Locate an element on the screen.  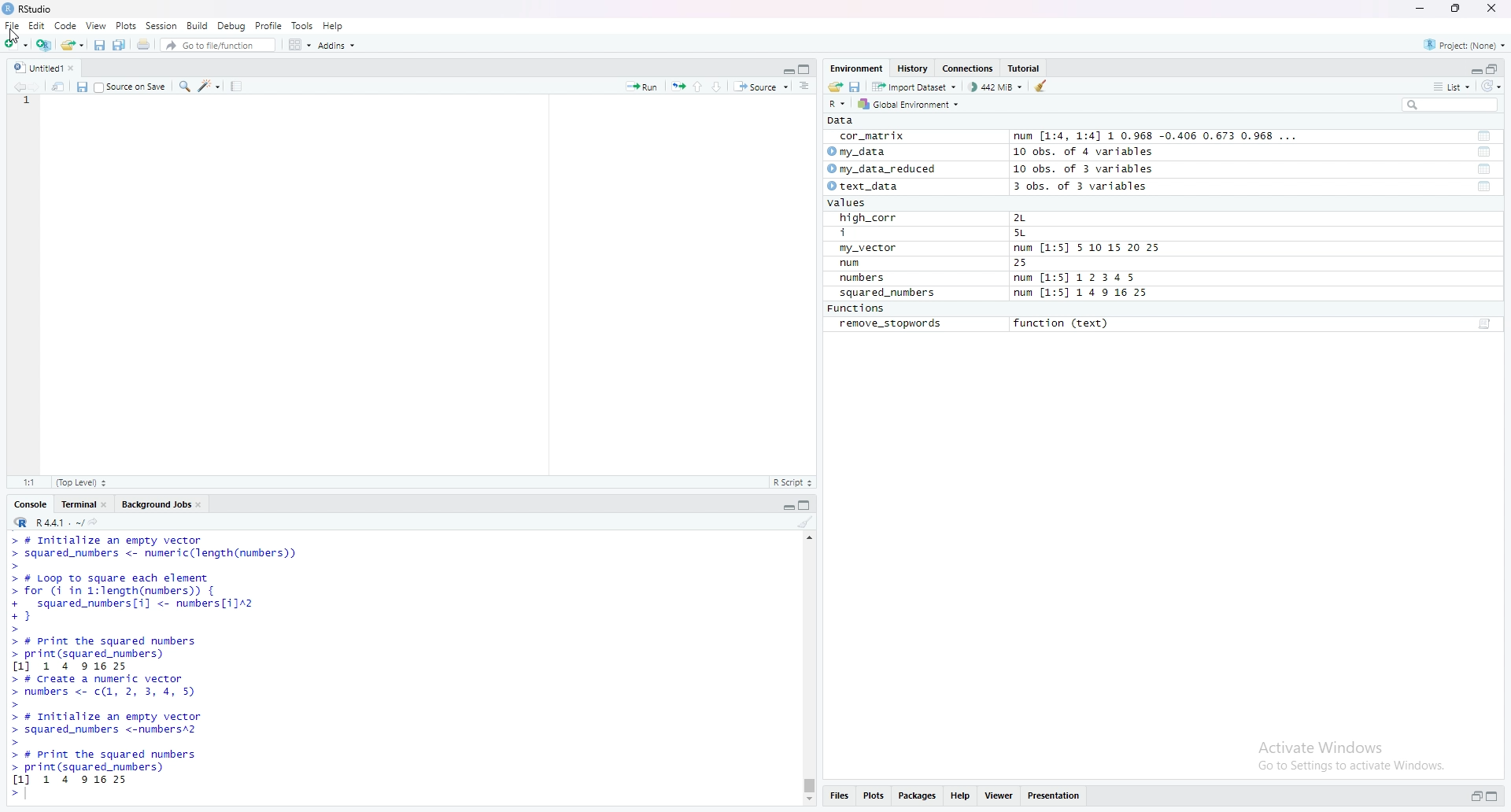
442 MiB is located at coordinates (999, 87).